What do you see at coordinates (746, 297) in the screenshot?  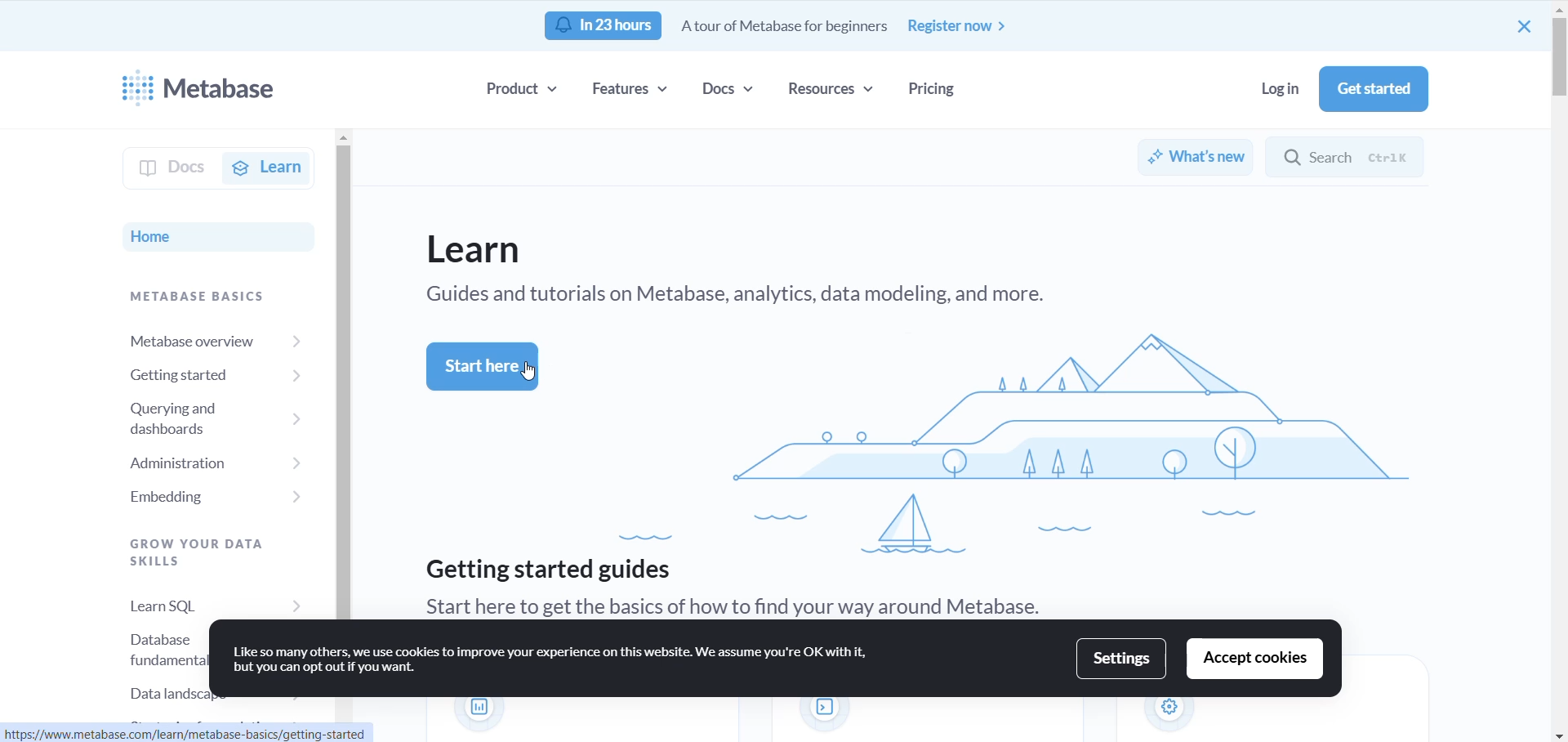 I see `text` at bounding box center [746, 297].